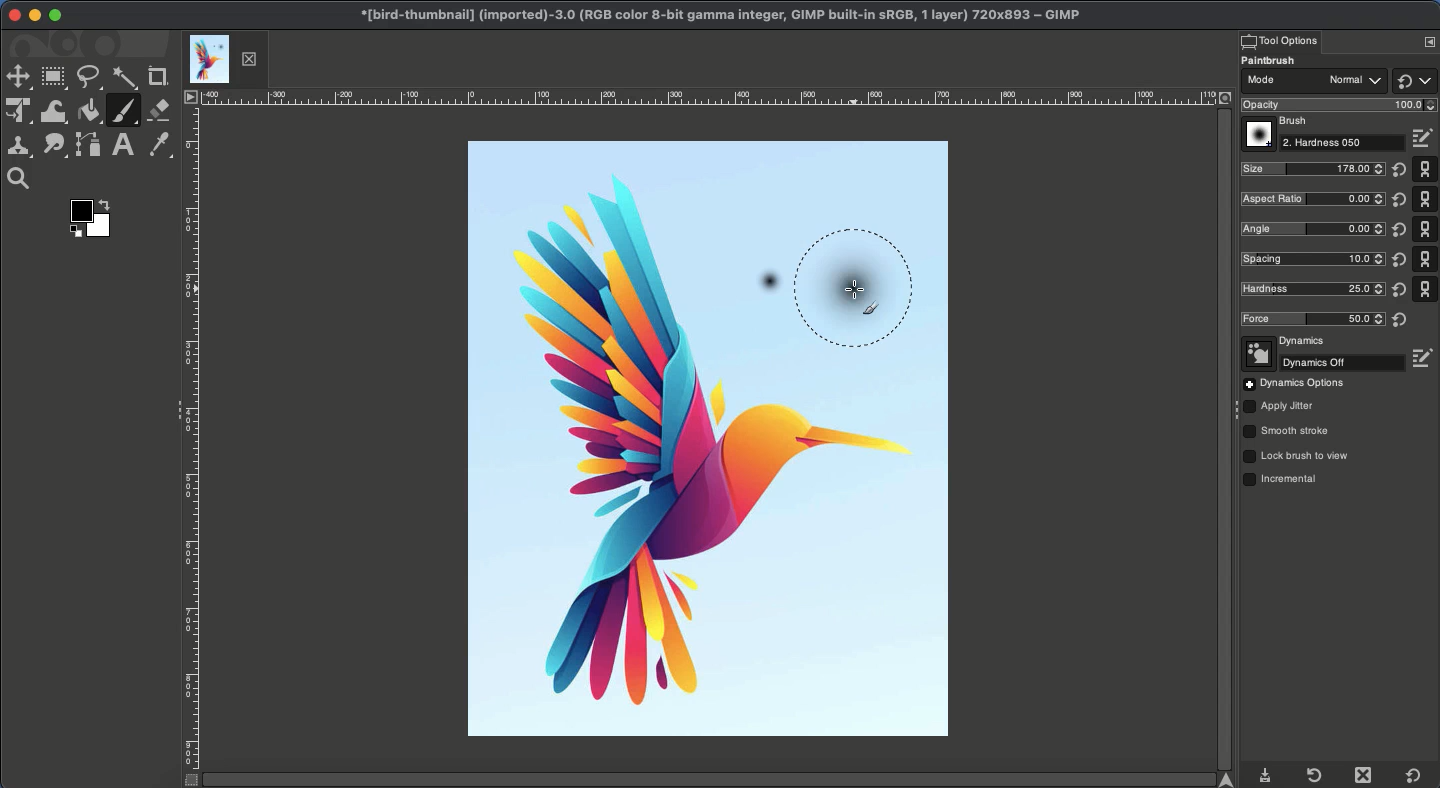 Image resolution: width=1440 pixels, height=788 pixels. Describe the element at coordinates (1266, 777) in the screenshot. I see `Download` at that location.